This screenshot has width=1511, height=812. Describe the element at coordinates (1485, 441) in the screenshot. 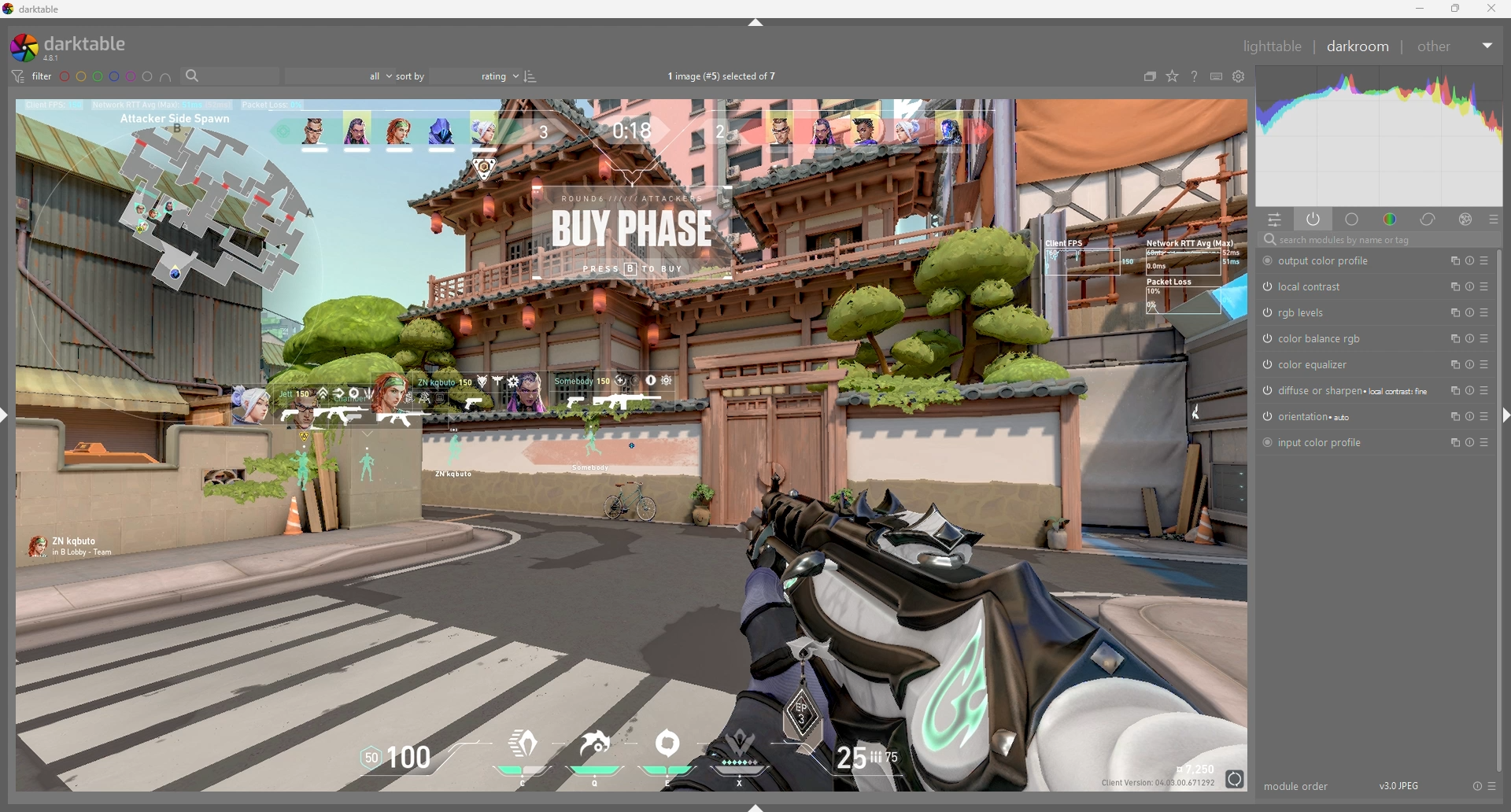

I see `presets` at that location.